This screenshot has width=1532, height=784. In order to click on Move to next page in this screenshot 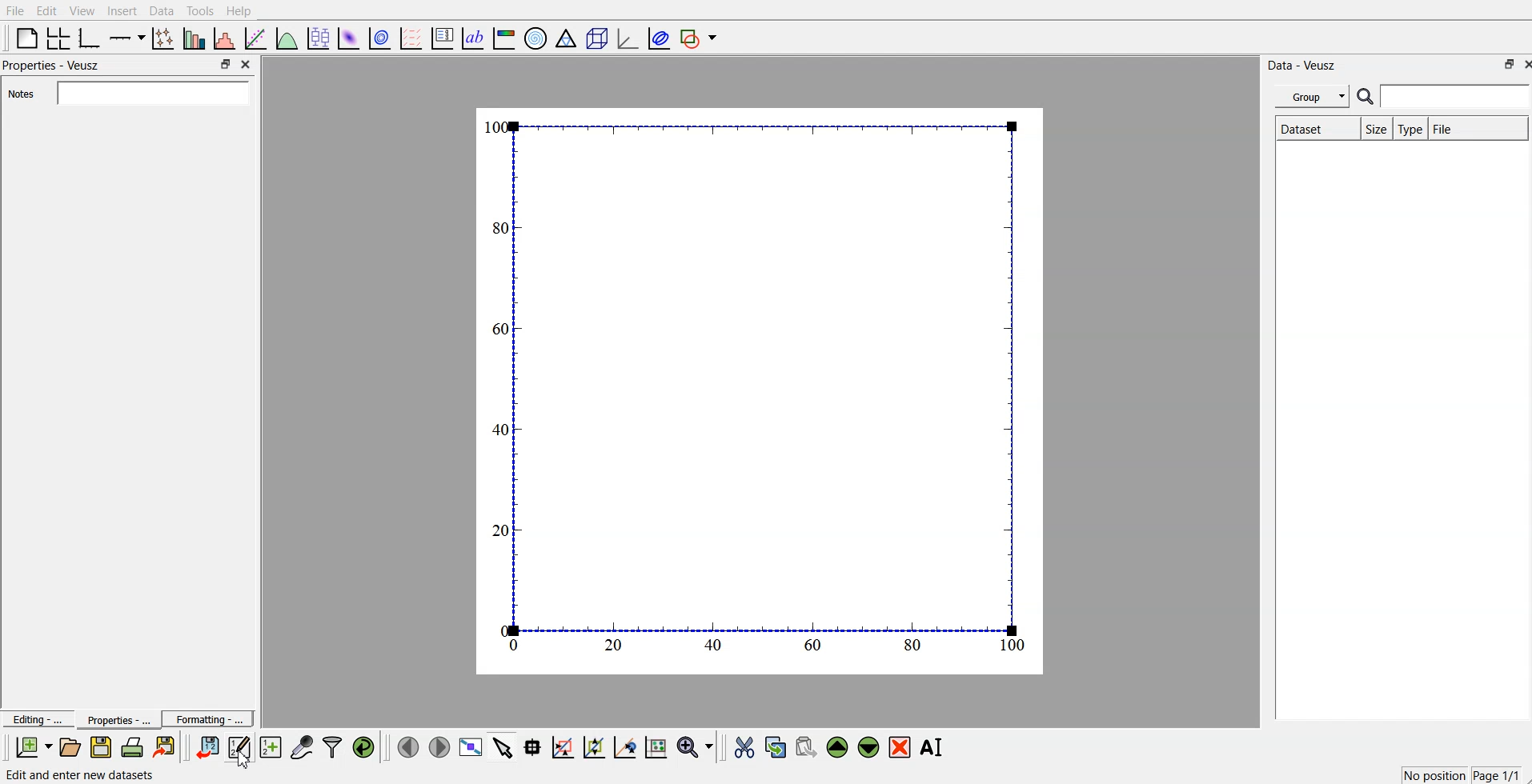, I will do `click(439, 746)`.